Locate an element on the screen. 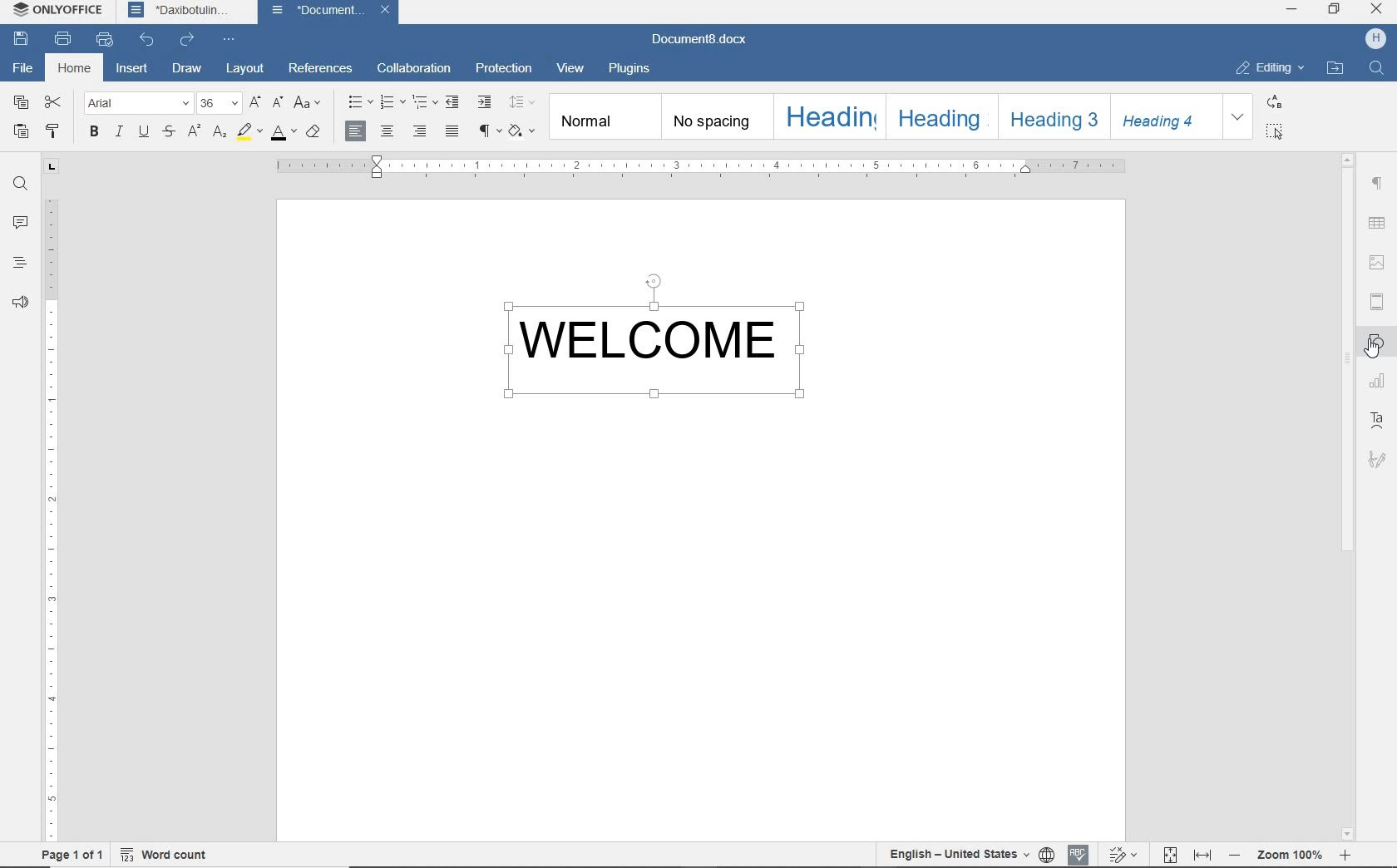 This screenshot has width=1397, height=868. SELECT ALL is located at coordinates (1272, 131).